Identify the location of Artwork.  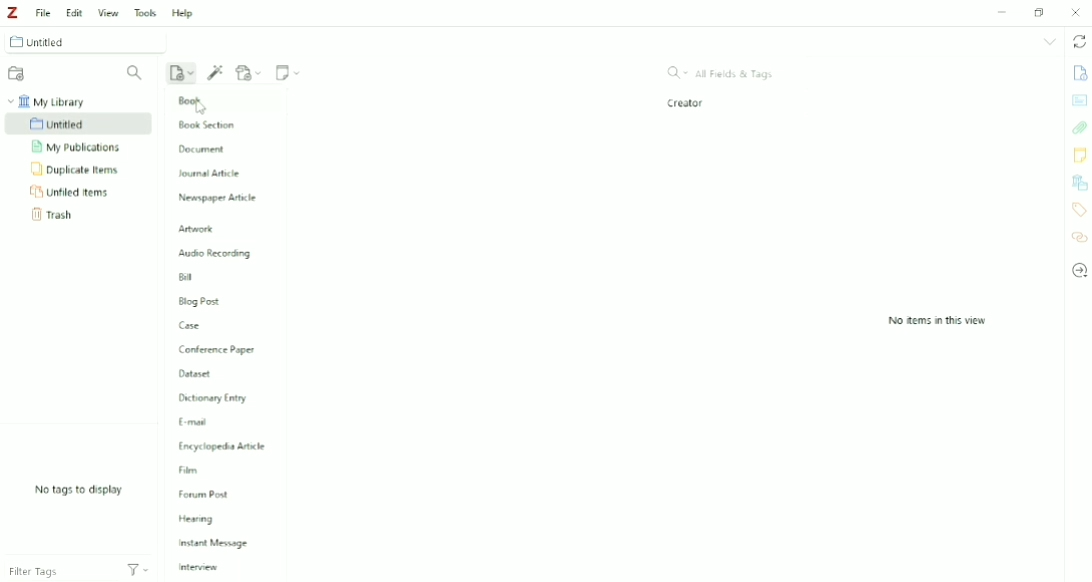
(198, 229).